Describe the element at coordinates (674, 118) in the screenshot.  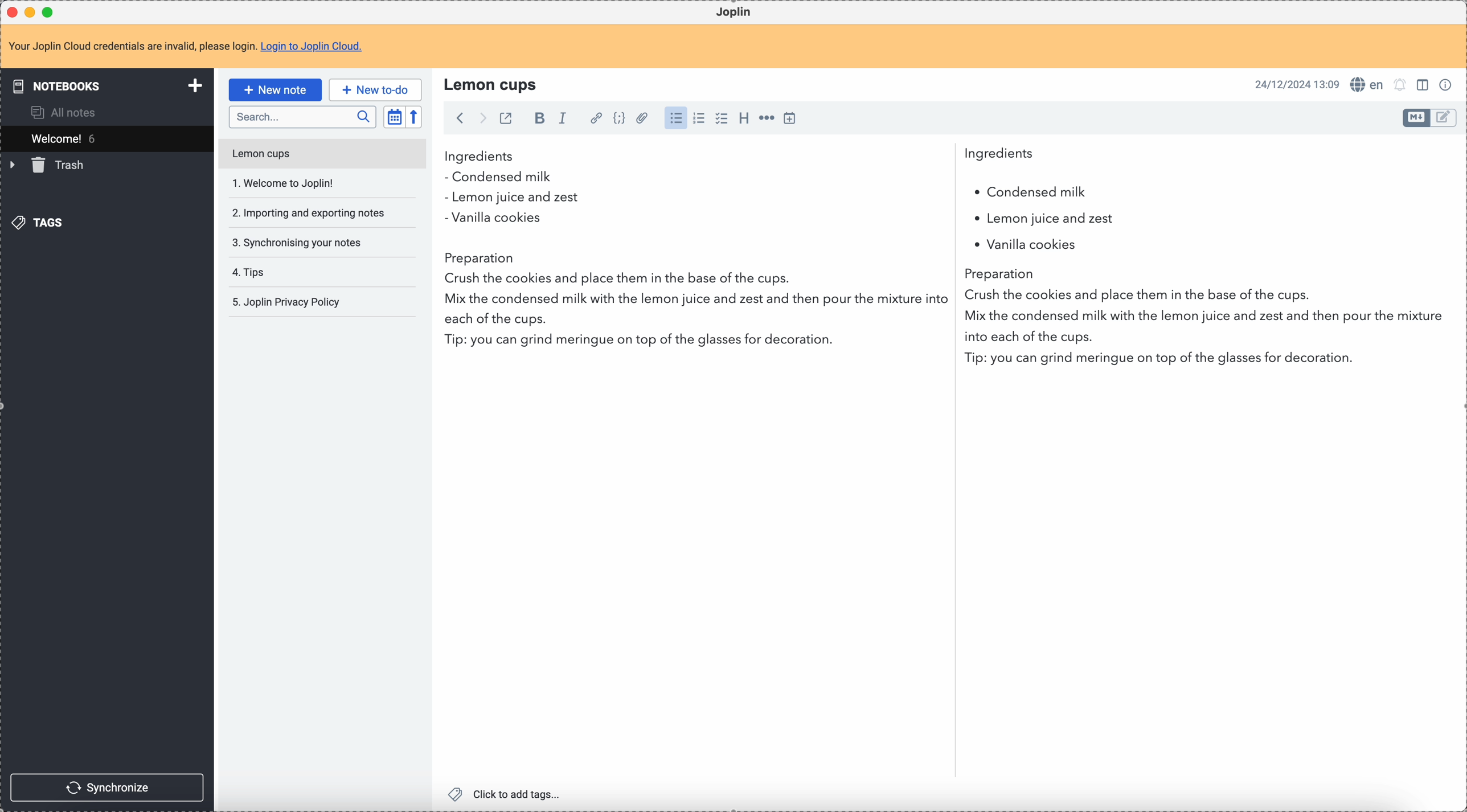
I see `bulleted list` at that location.